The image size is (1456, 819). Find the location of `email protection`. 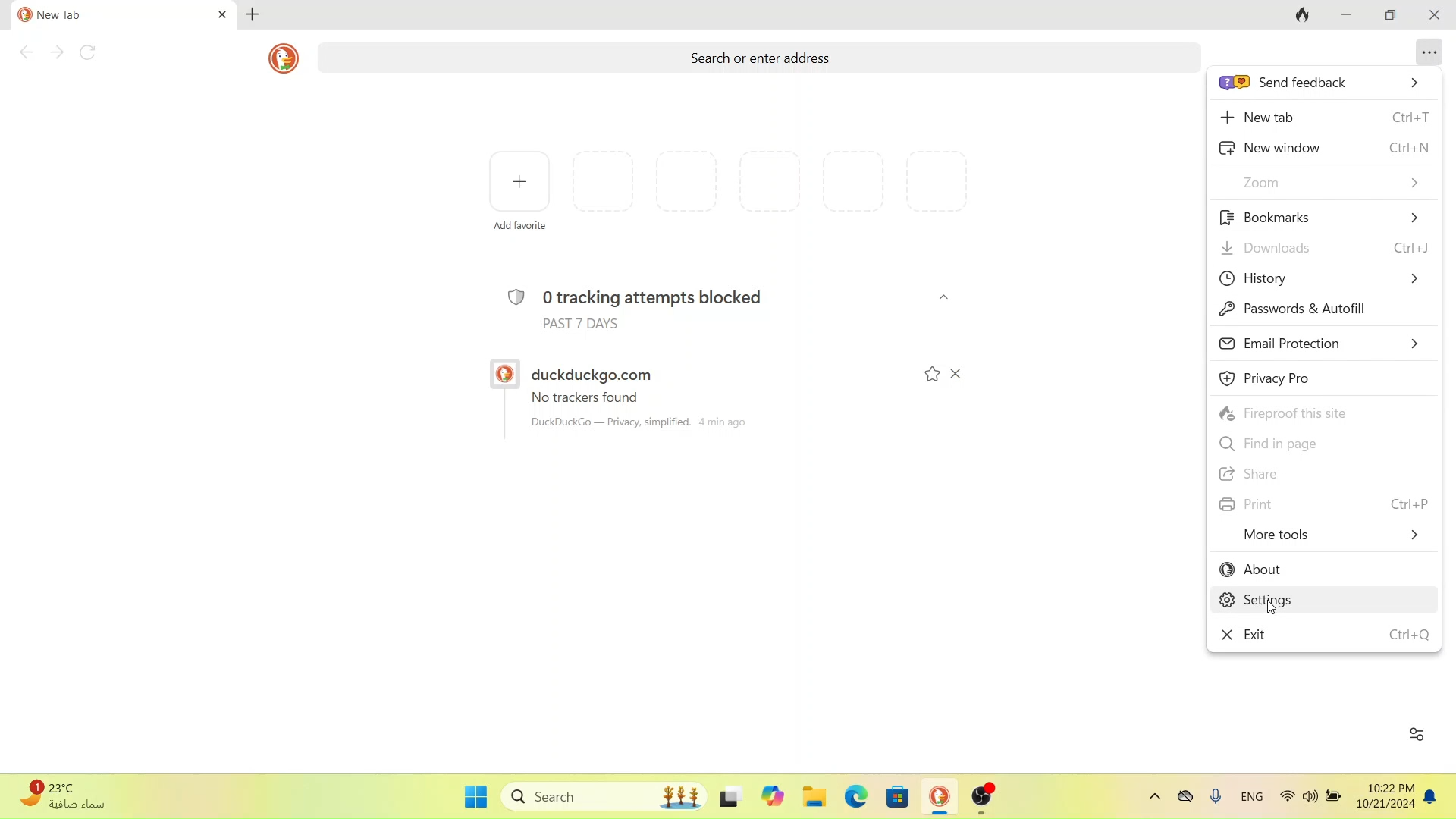

email protection is located at coordinates (1316, 341).